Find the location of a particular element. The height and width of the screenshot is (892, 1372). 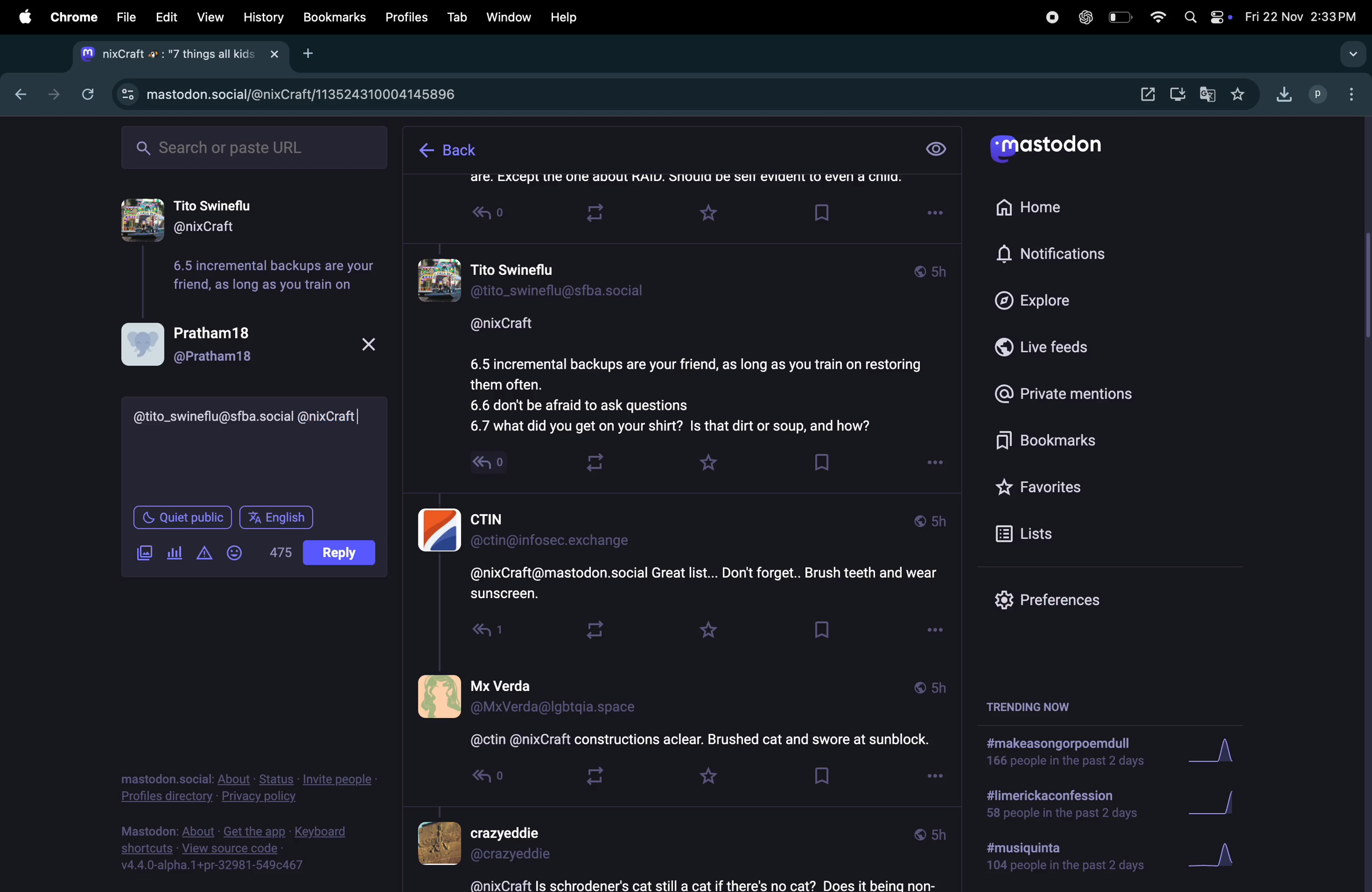

apple menu is located at coordinates (20, 17).